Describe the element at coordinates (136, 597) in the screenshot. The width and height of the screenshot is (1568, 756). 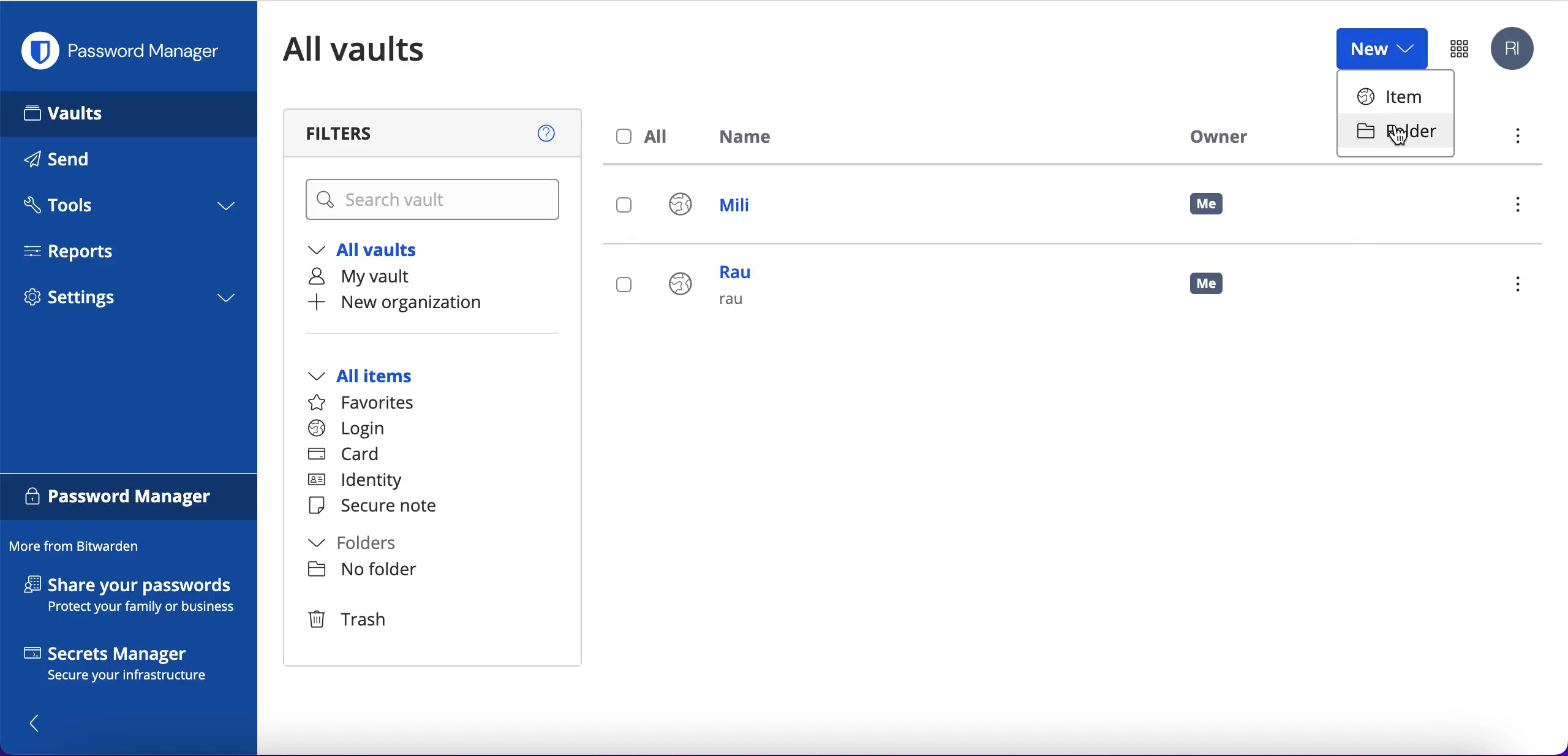
I see `share your passwords protect your family or business` at that location.